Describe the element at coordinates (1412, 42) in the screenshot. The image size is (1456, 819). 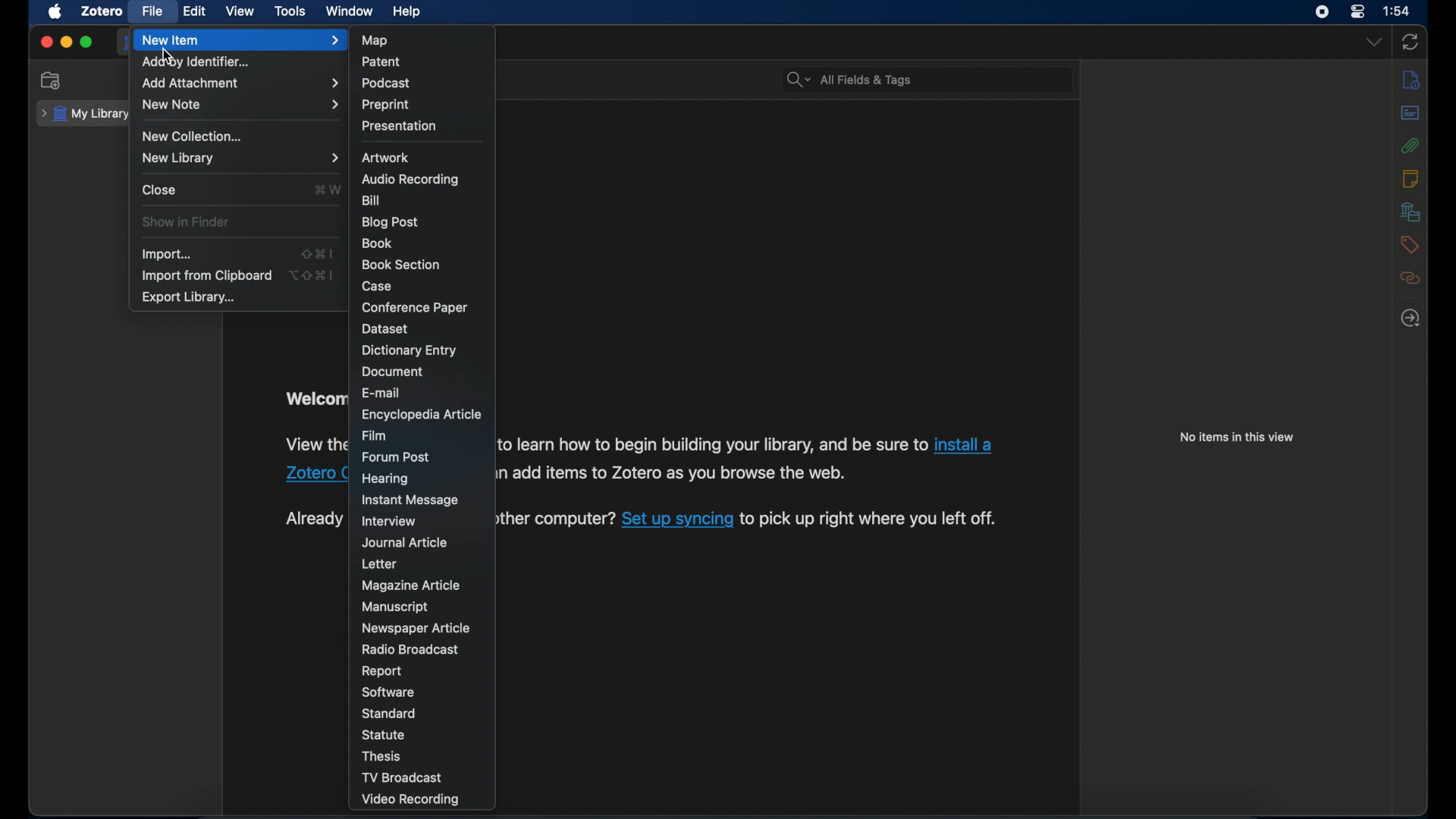
I see `sync` at that location.